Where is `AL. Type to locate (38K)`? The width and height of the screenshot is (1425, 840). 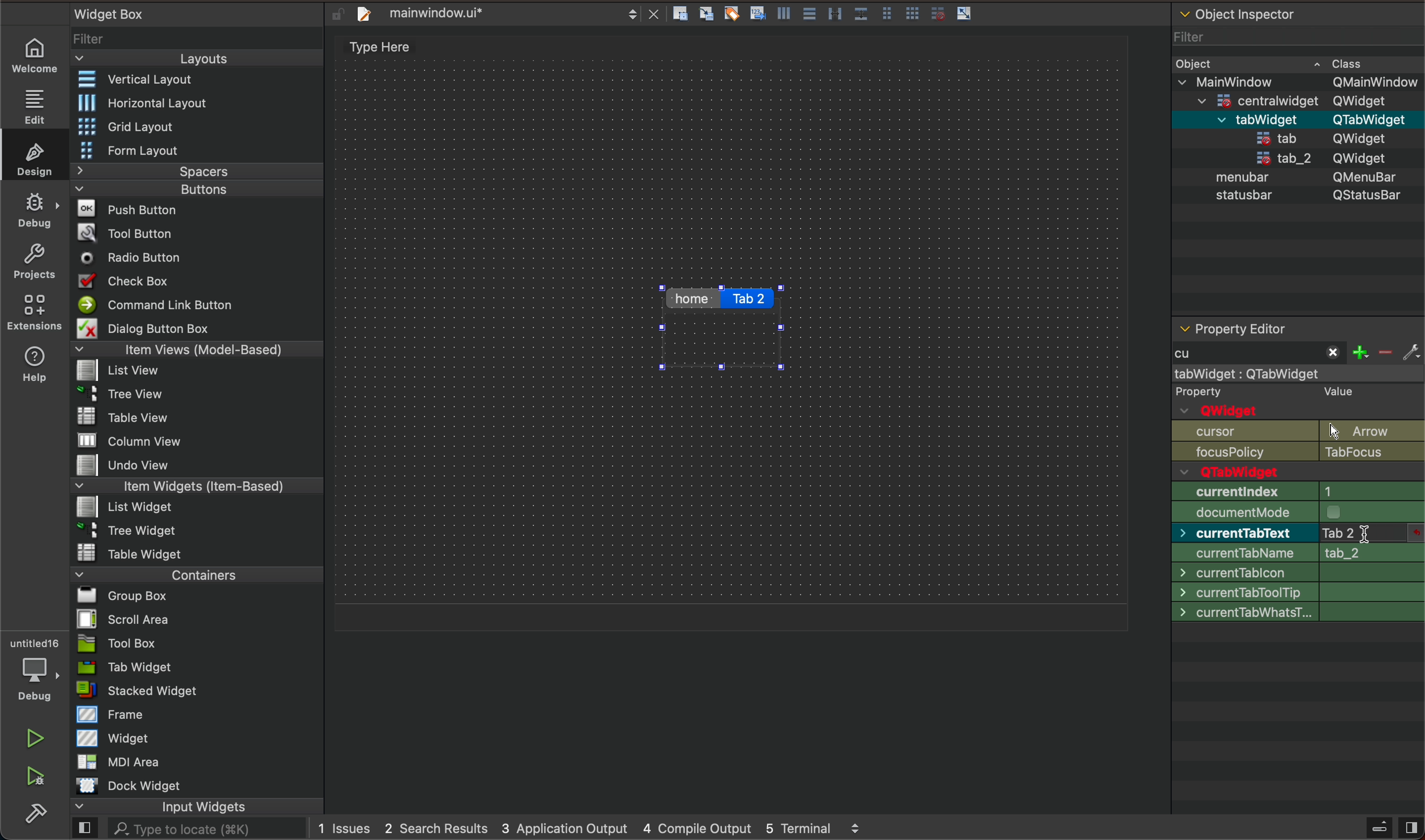 AL. Type to locate (38K) is located at coordinates (195, 830).